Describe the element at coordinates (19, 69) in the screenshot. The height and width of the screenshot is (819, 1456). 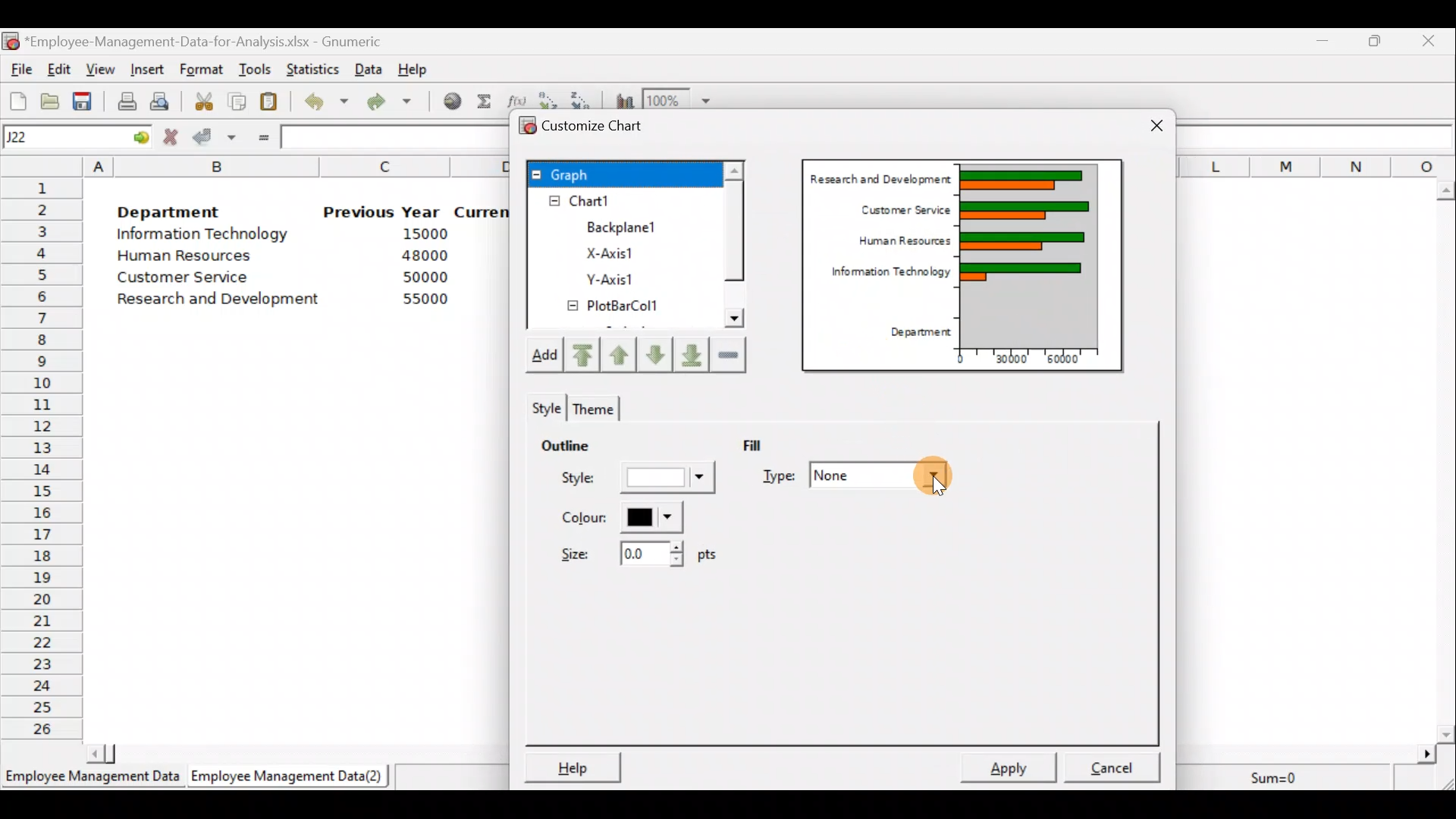
I see `File` at that location.